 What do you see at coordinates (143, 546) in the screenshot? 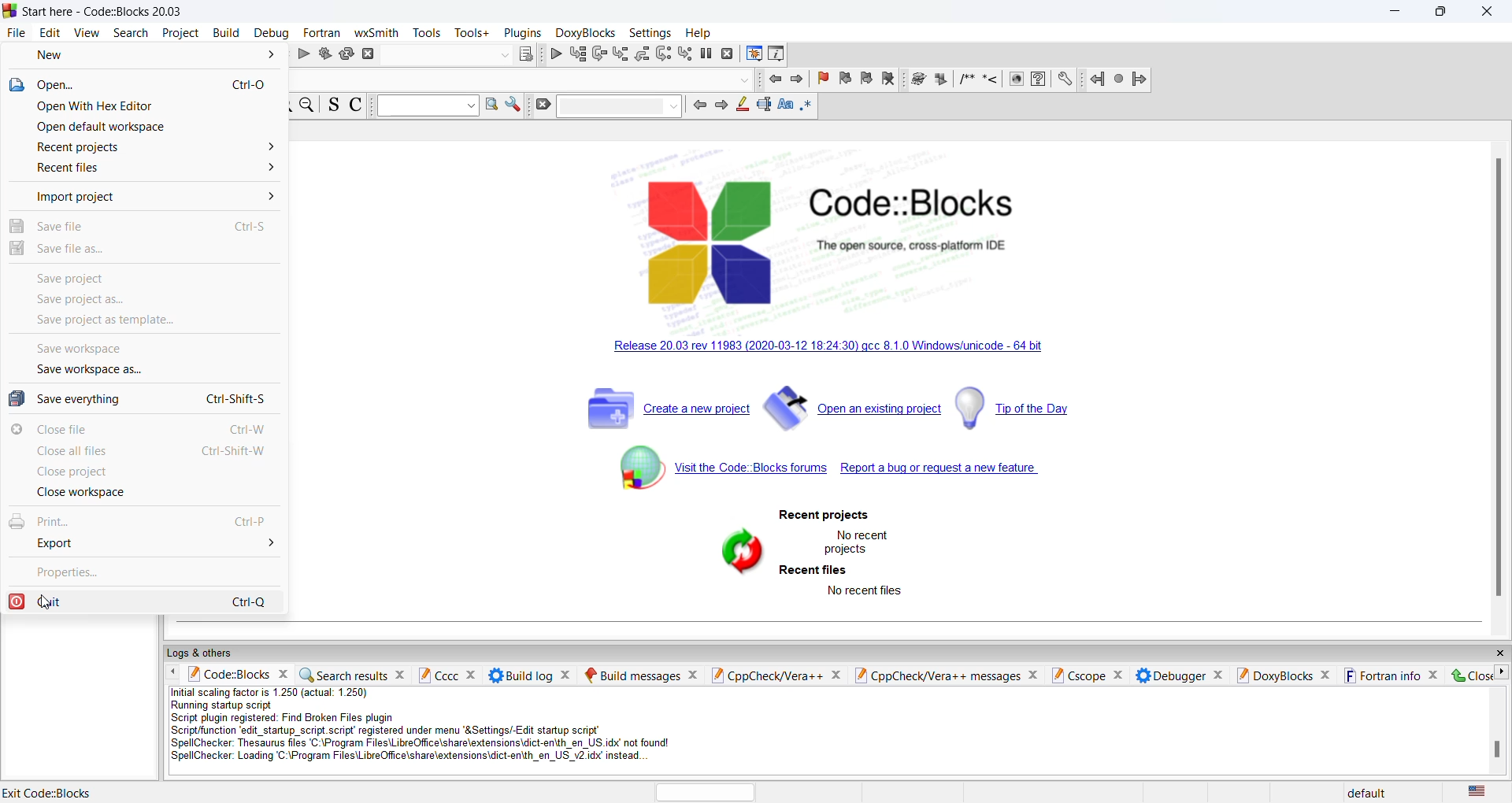
I see `export` at bounding box center [143, 546].